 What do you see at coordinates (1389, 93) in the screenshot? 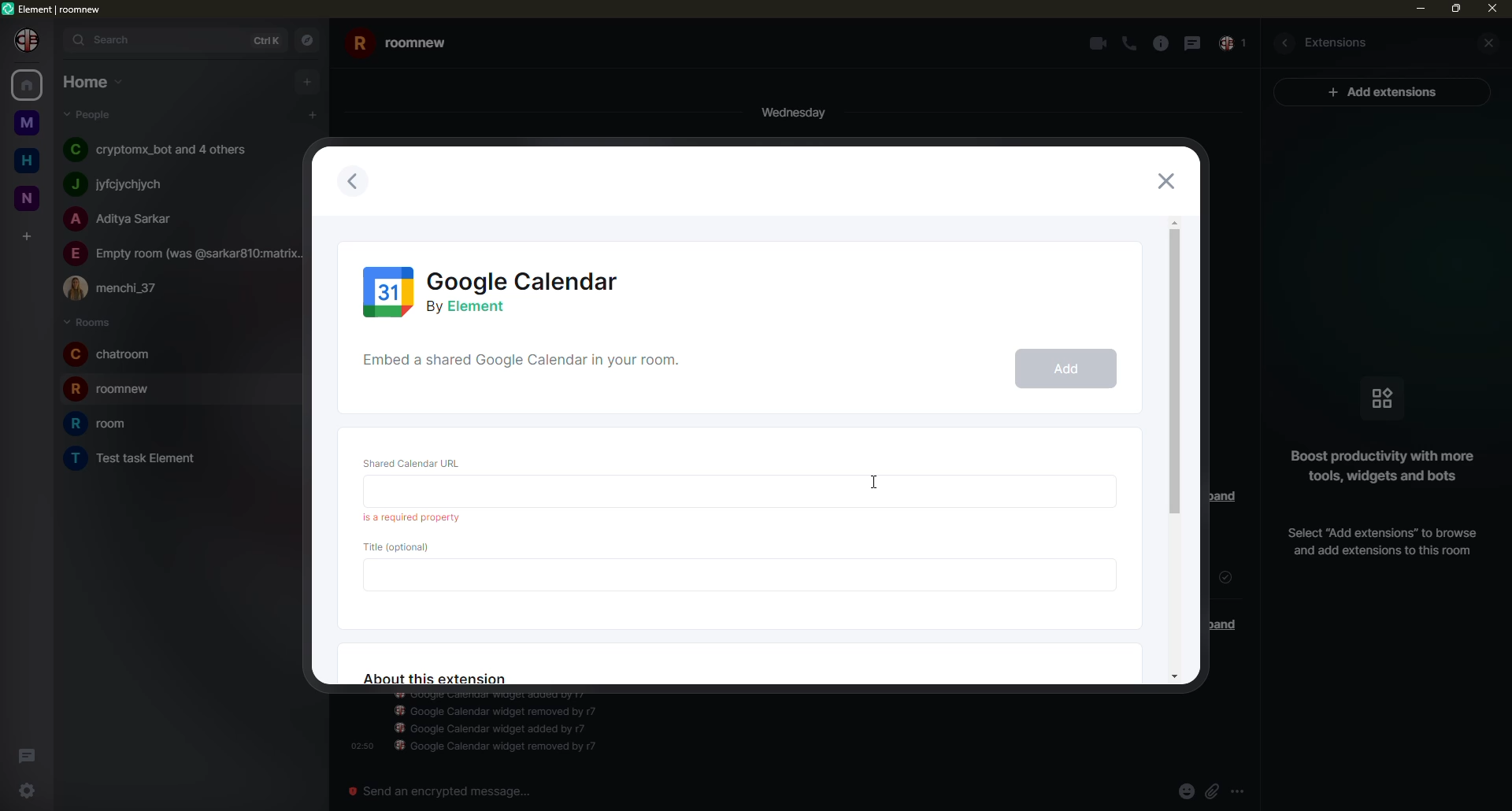
I see `ad` at bounding box center [1389, 93].